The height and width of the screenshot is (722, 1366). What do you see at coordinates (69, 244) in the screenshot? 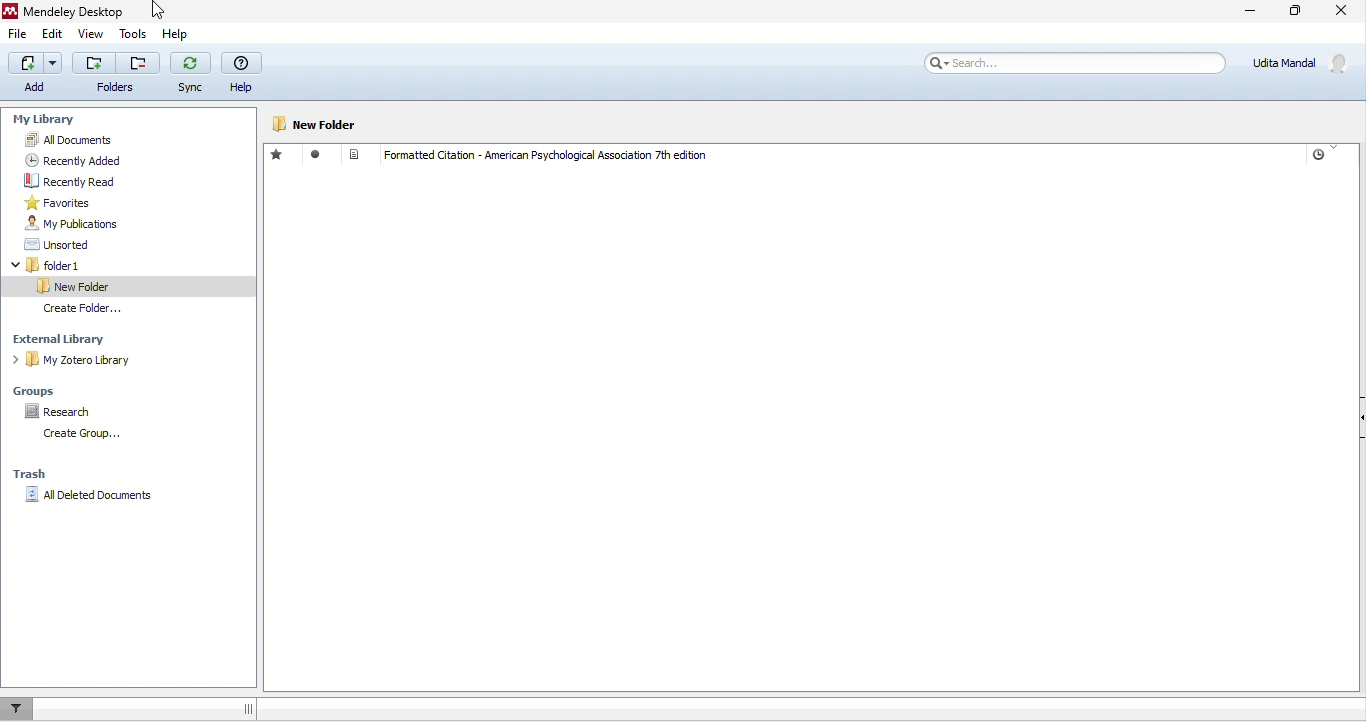
I see `unsorted` at bounding box center [69, 244].